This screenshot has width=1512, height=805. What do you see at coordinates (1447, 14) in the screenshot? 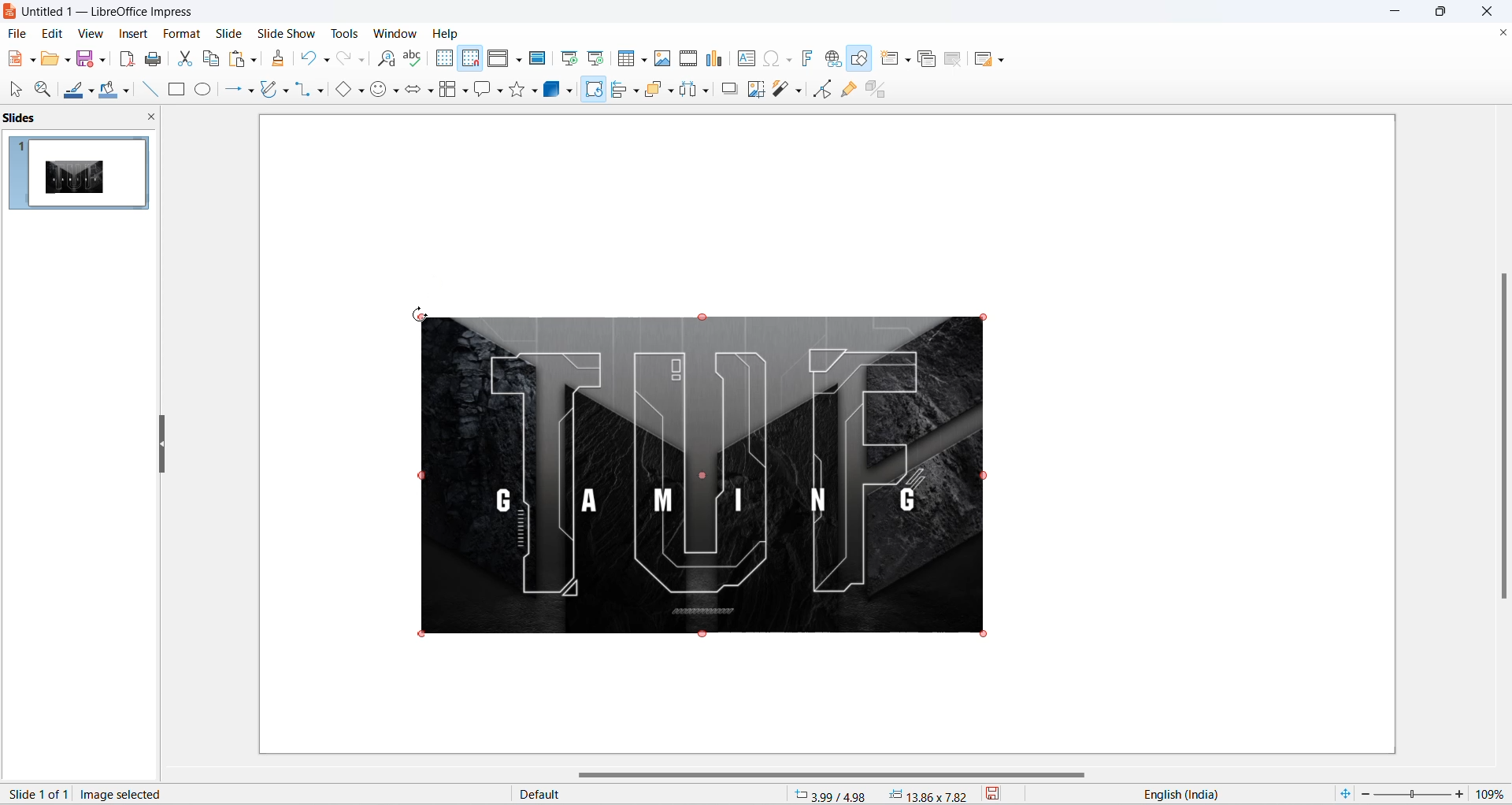
I see `maximize` at bounding box center [1447, 14].